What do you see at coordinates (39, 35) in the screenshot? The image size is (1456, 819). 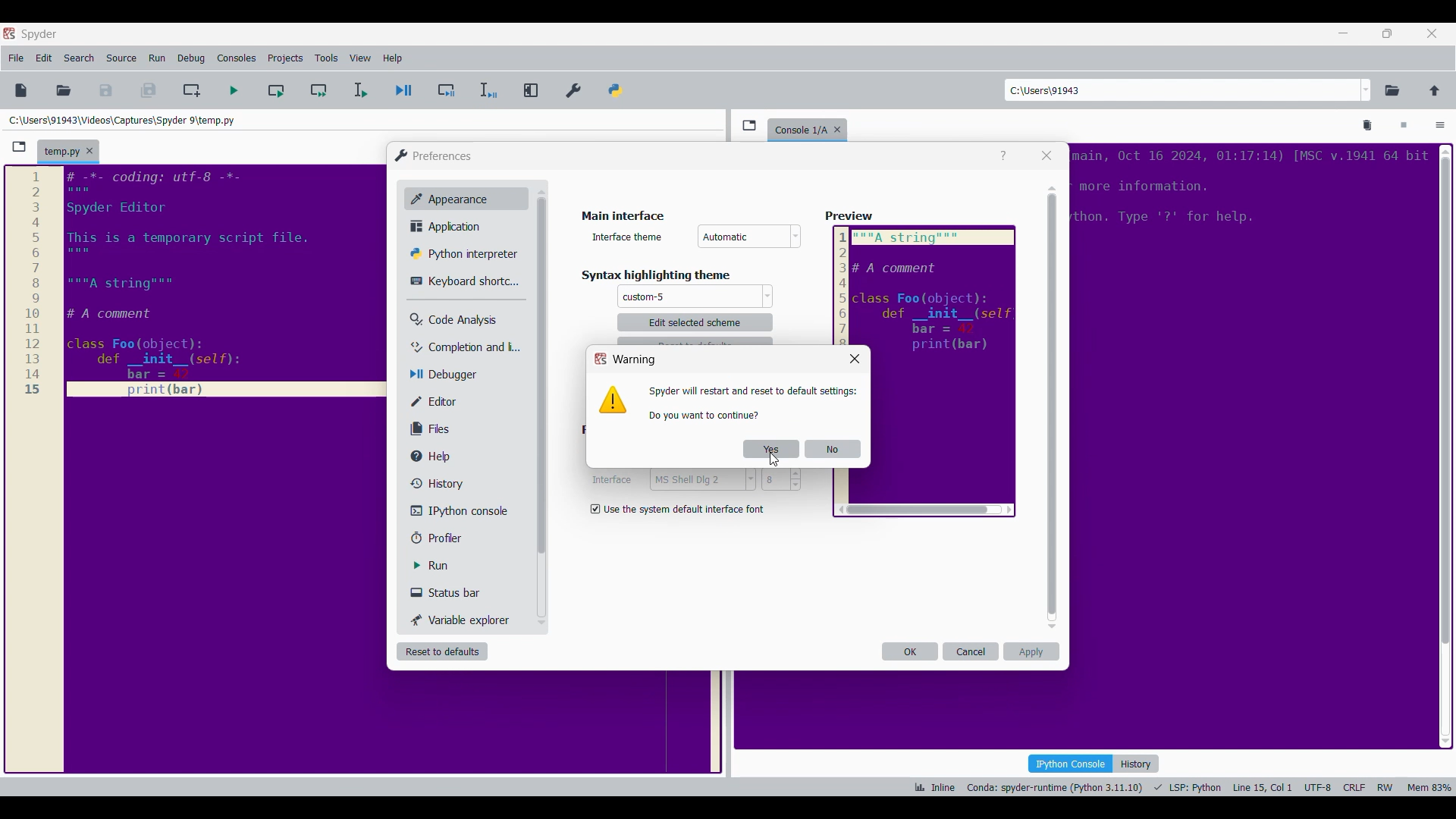 I see `Software name` at bounding box center [39, 35].